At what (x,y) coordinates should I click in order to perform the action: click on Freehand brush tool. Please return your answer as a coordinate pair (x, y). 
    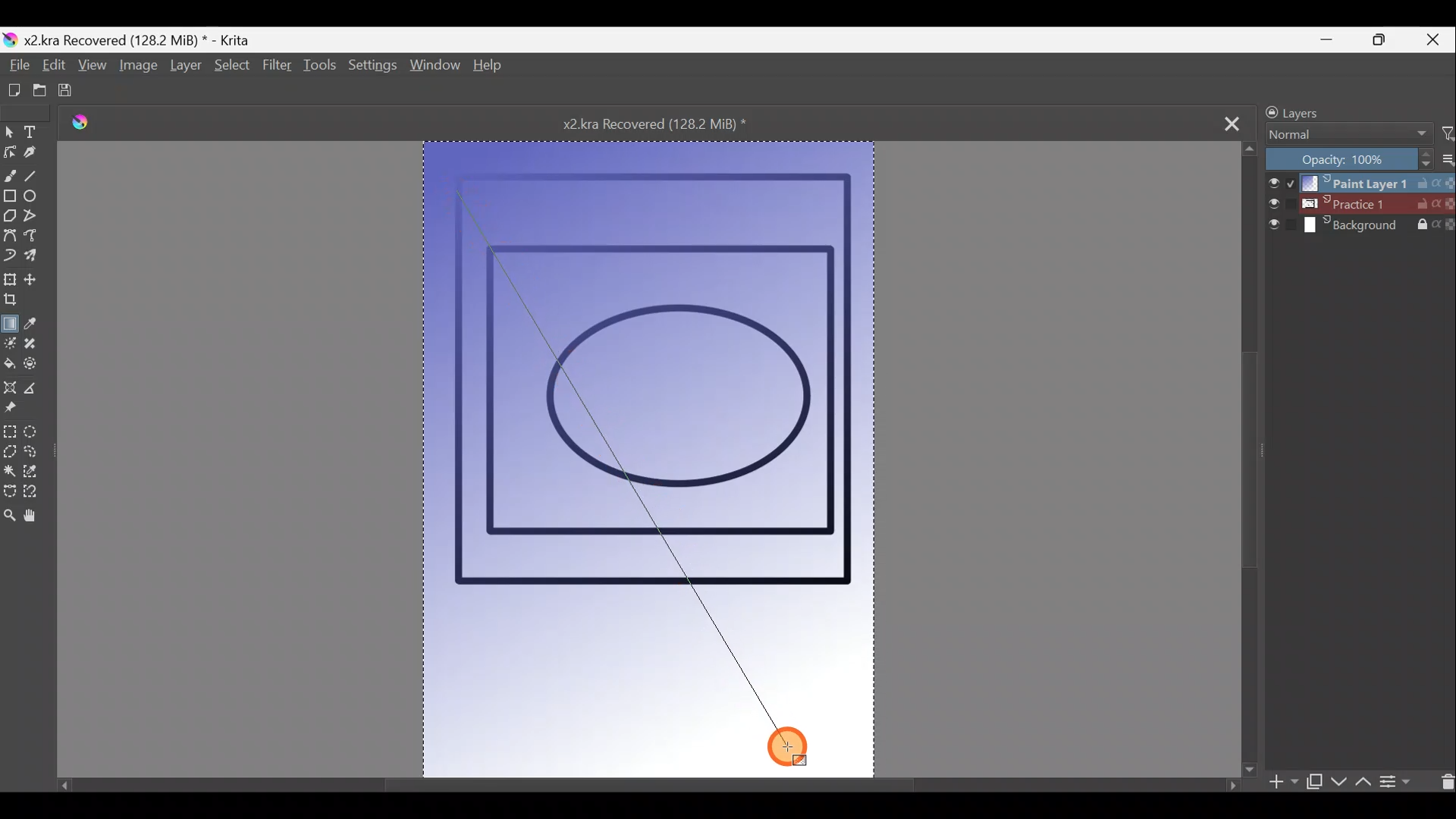
    Looking at the image, I should click on (10, 175).